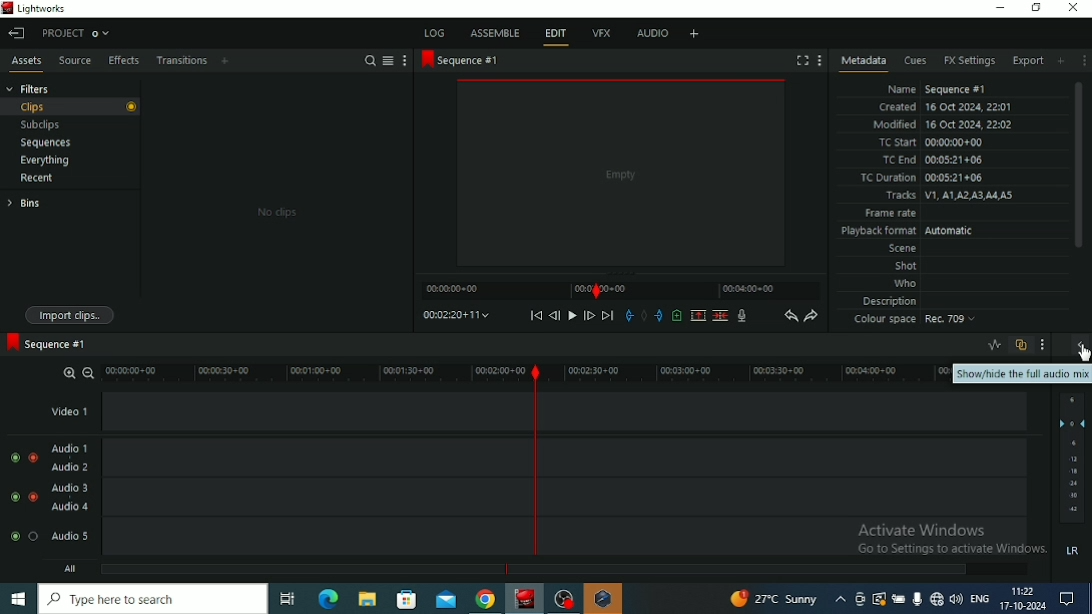 The image size is (1092, 614). Describe the element at coordinates (608, 316) in the screenshot. I see `Move forward` at that location.